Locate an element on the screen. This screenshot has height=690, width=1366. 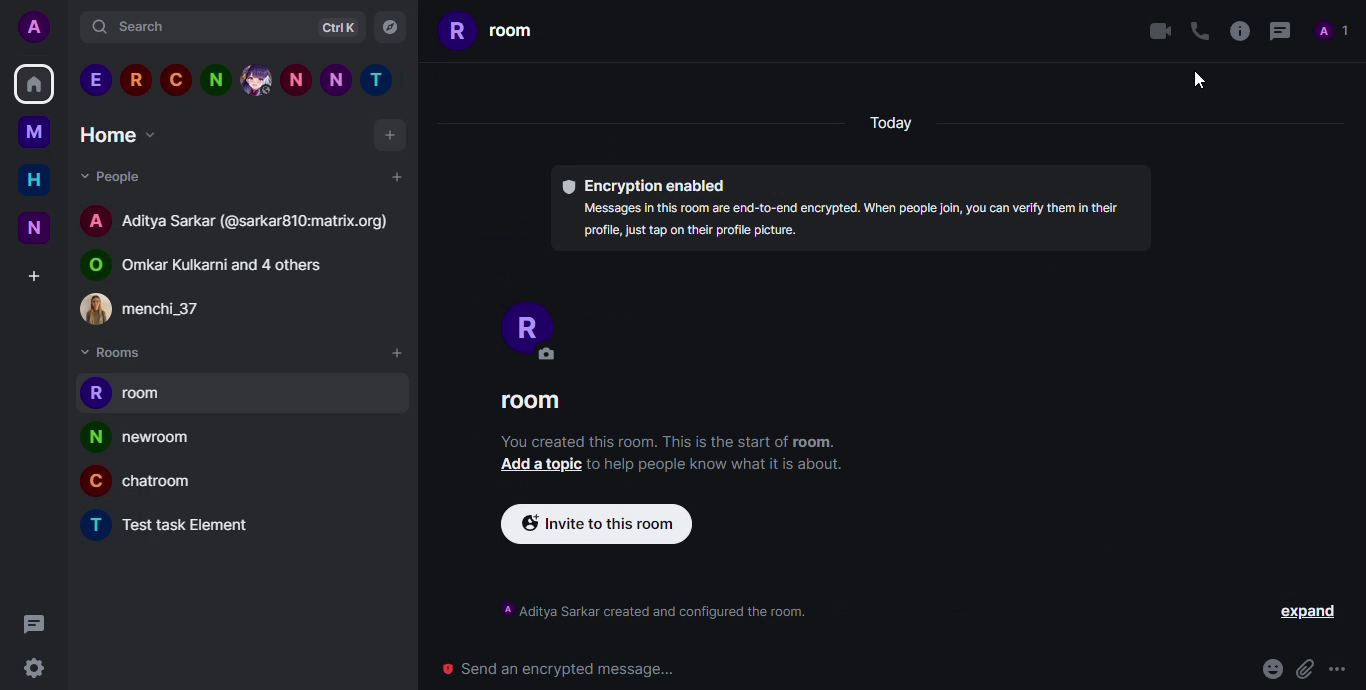
profile is located at coordinates (94, 524).